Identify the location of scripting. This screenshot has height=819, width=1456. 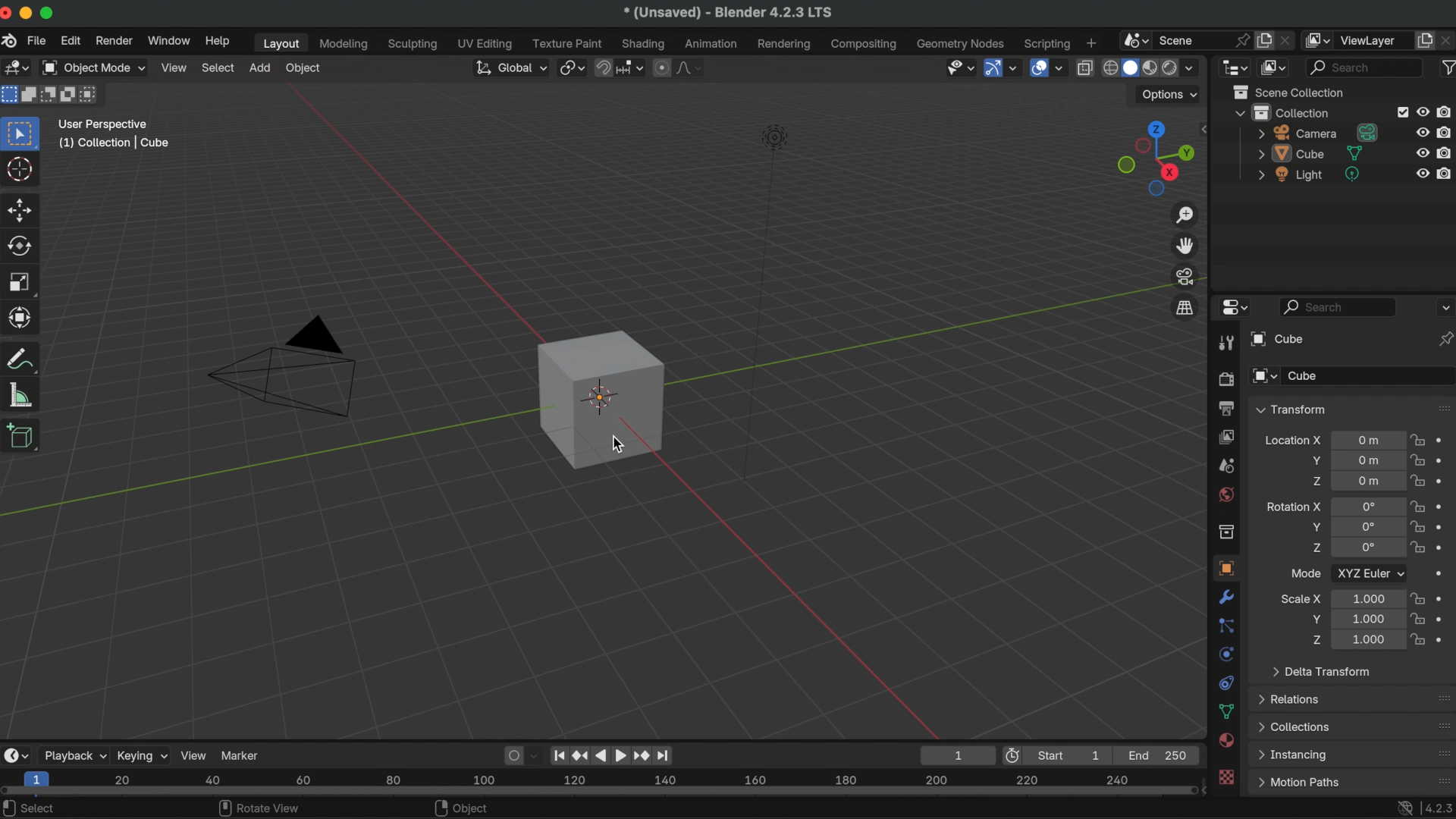
(1045, 43).